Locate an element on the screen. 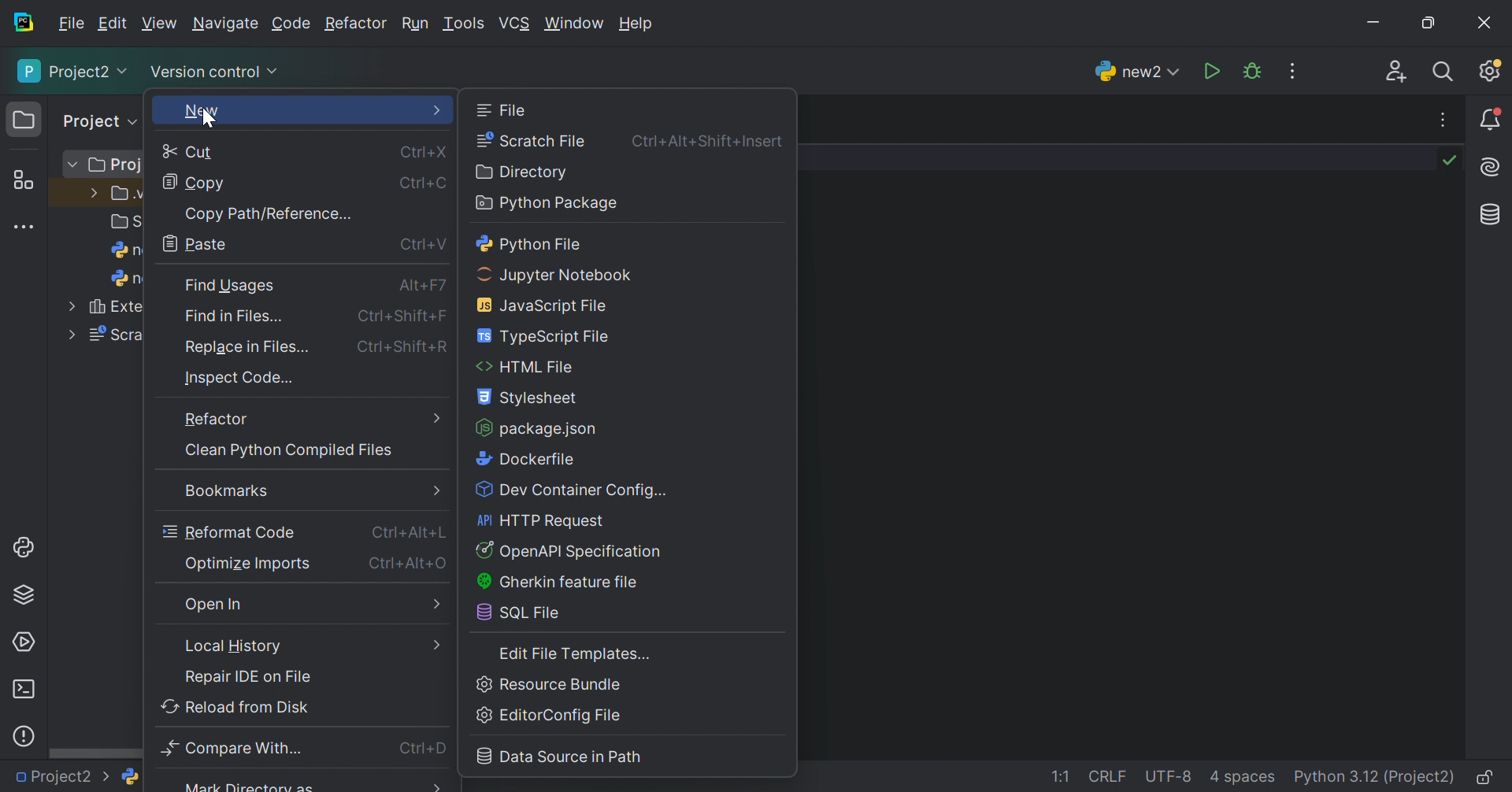 This screenshot has width=1512, height=792. Run is located at coordinates (418, 24).